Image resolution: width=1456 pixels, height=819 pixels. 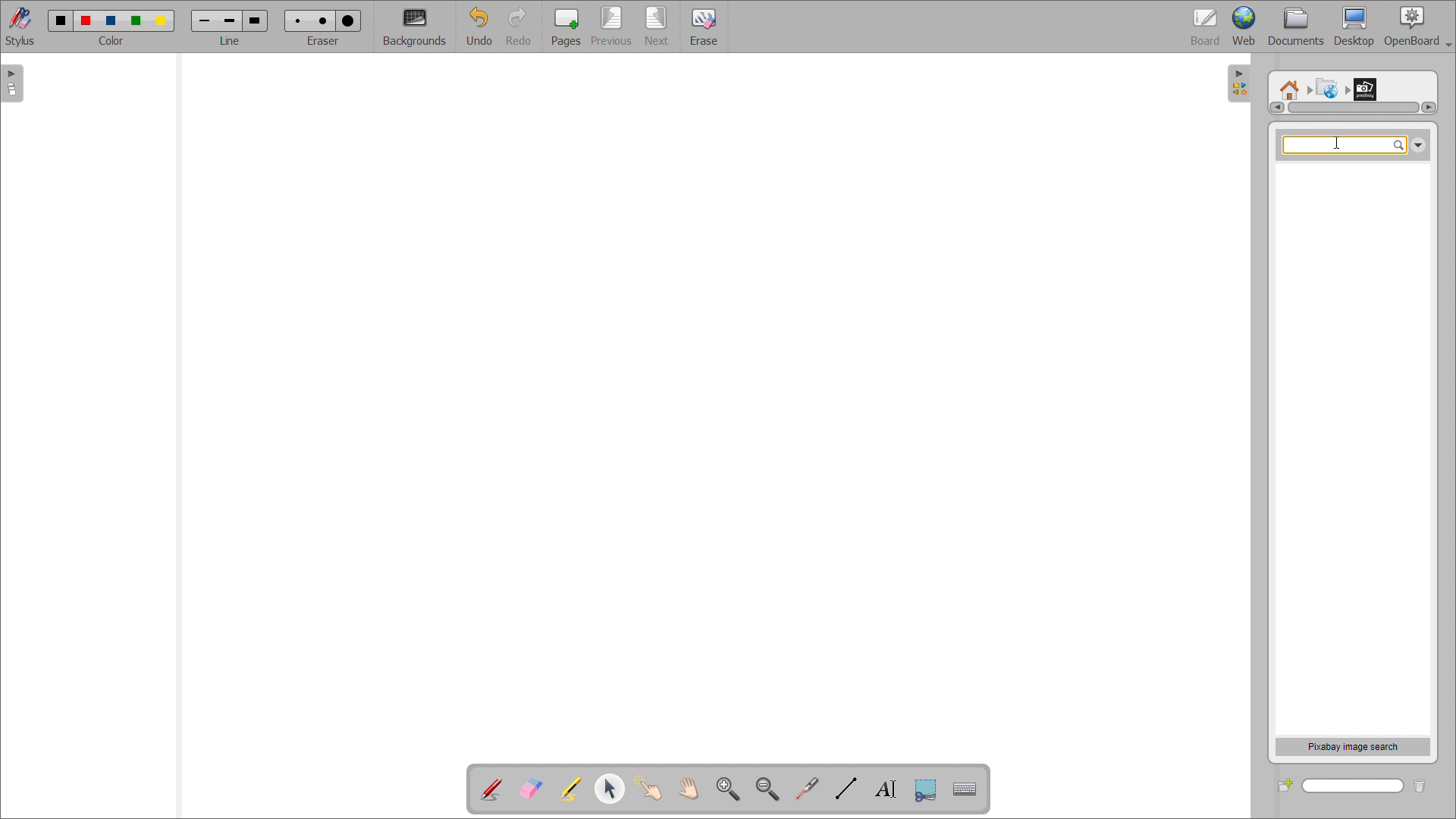 What do you see at coordinates (163, 20) in the screenshot?
I see `Color 5` at bounding box center [163, 20].